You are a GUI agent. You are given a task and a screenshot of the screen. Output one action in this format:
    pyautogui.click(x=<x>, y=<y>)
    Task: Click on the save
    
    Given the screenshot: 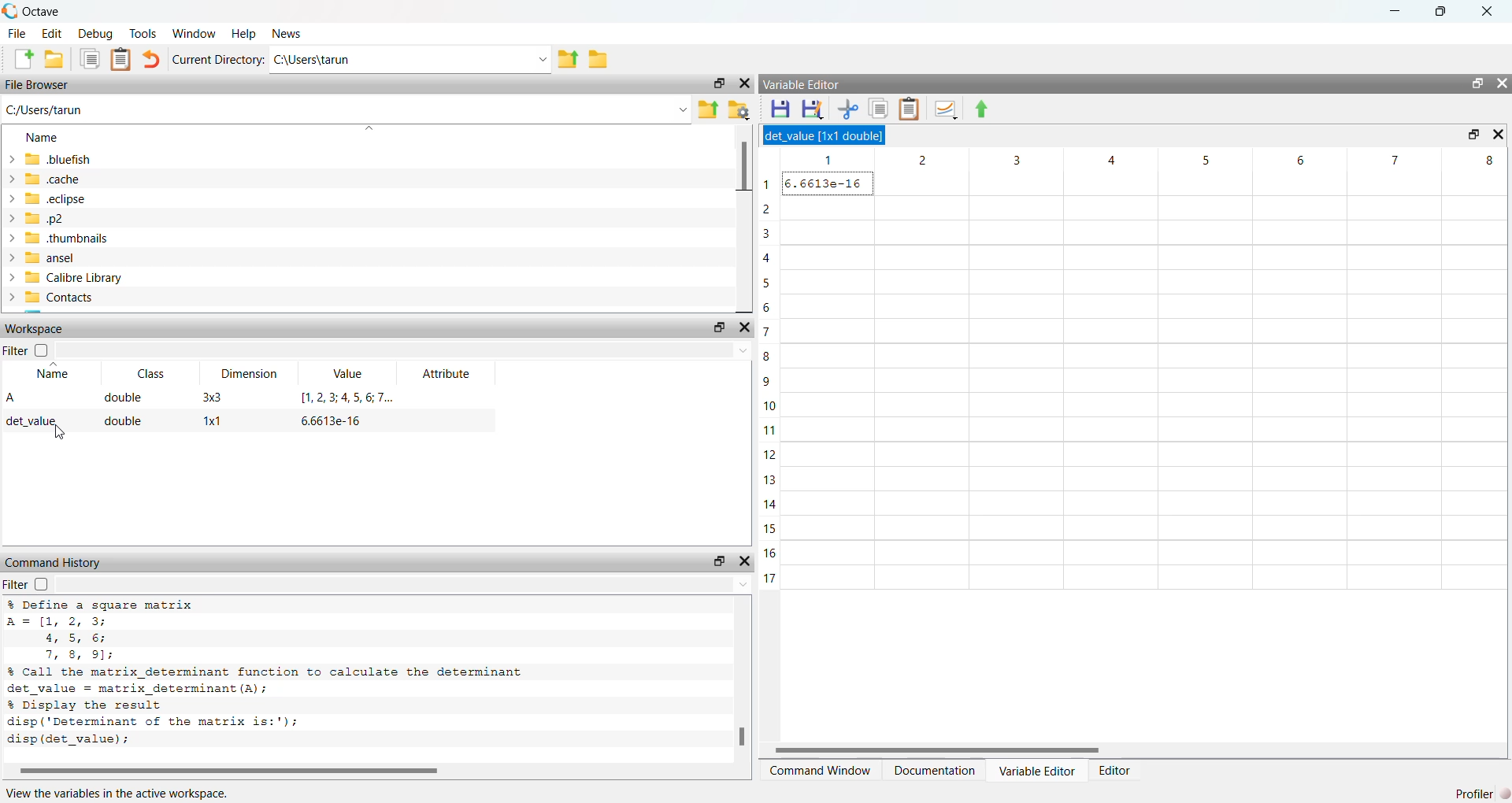 What is the action you would take?
    pyautogui.click(x=780, y=109)
    